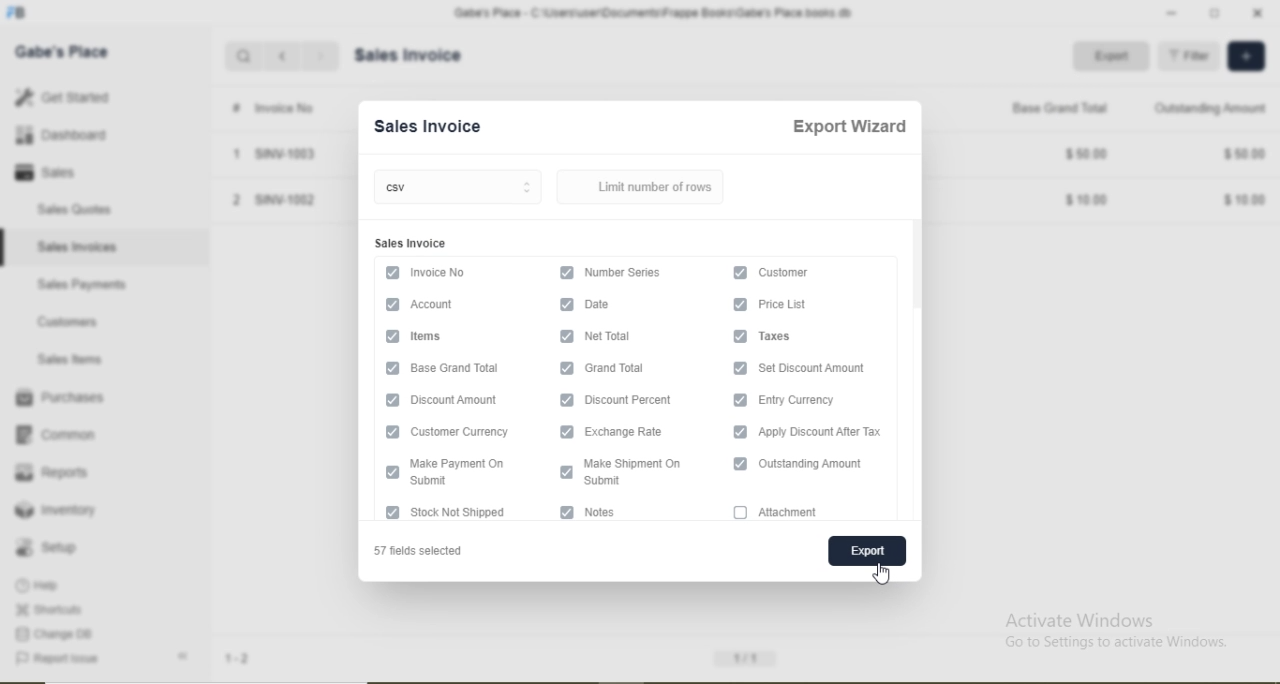  Describe the element at coordinates (640, 400) in the screenshot. I see `Discount Percent` at that location.